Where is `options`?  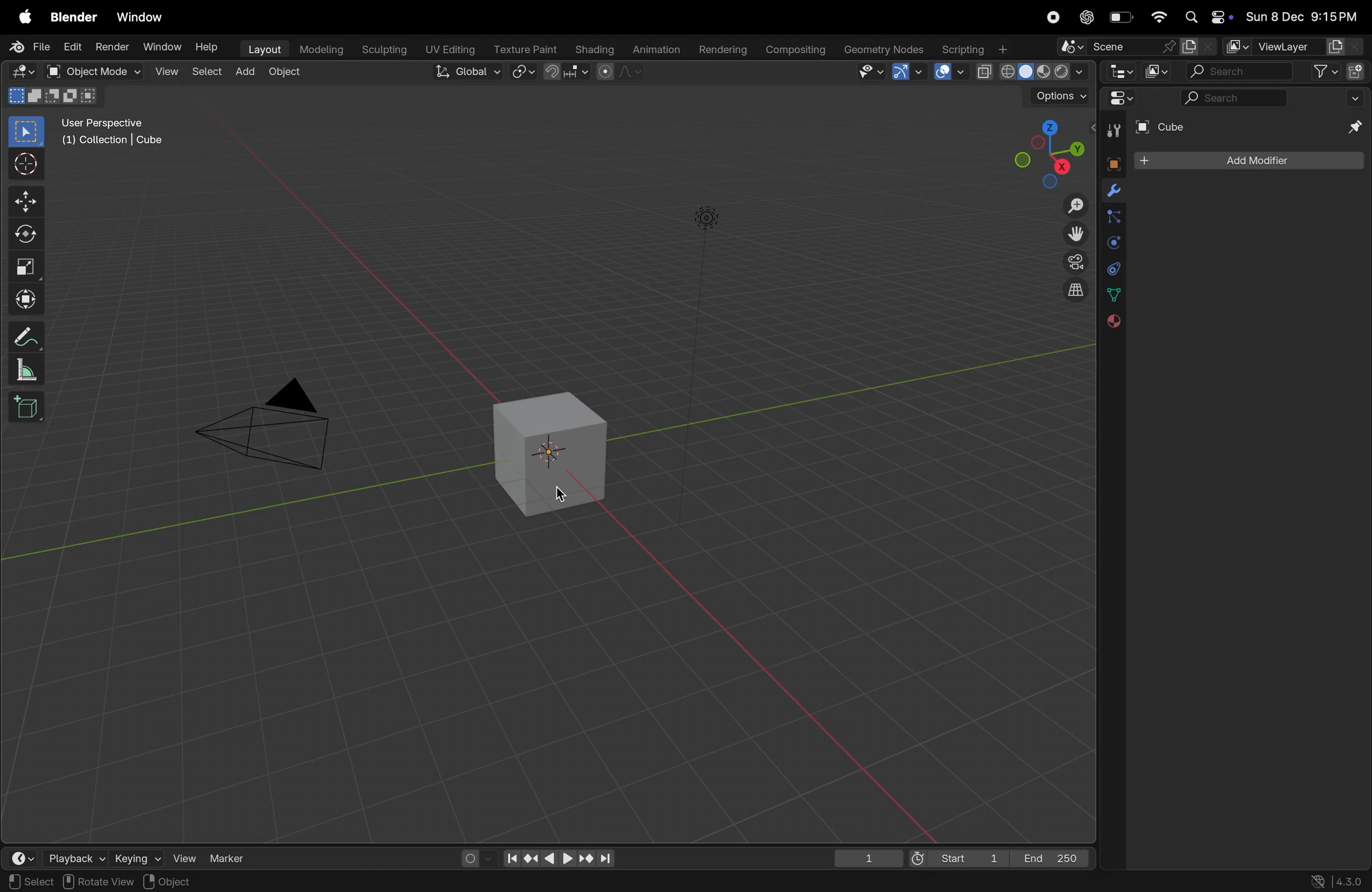
options is located at coordinates (1058, 97).